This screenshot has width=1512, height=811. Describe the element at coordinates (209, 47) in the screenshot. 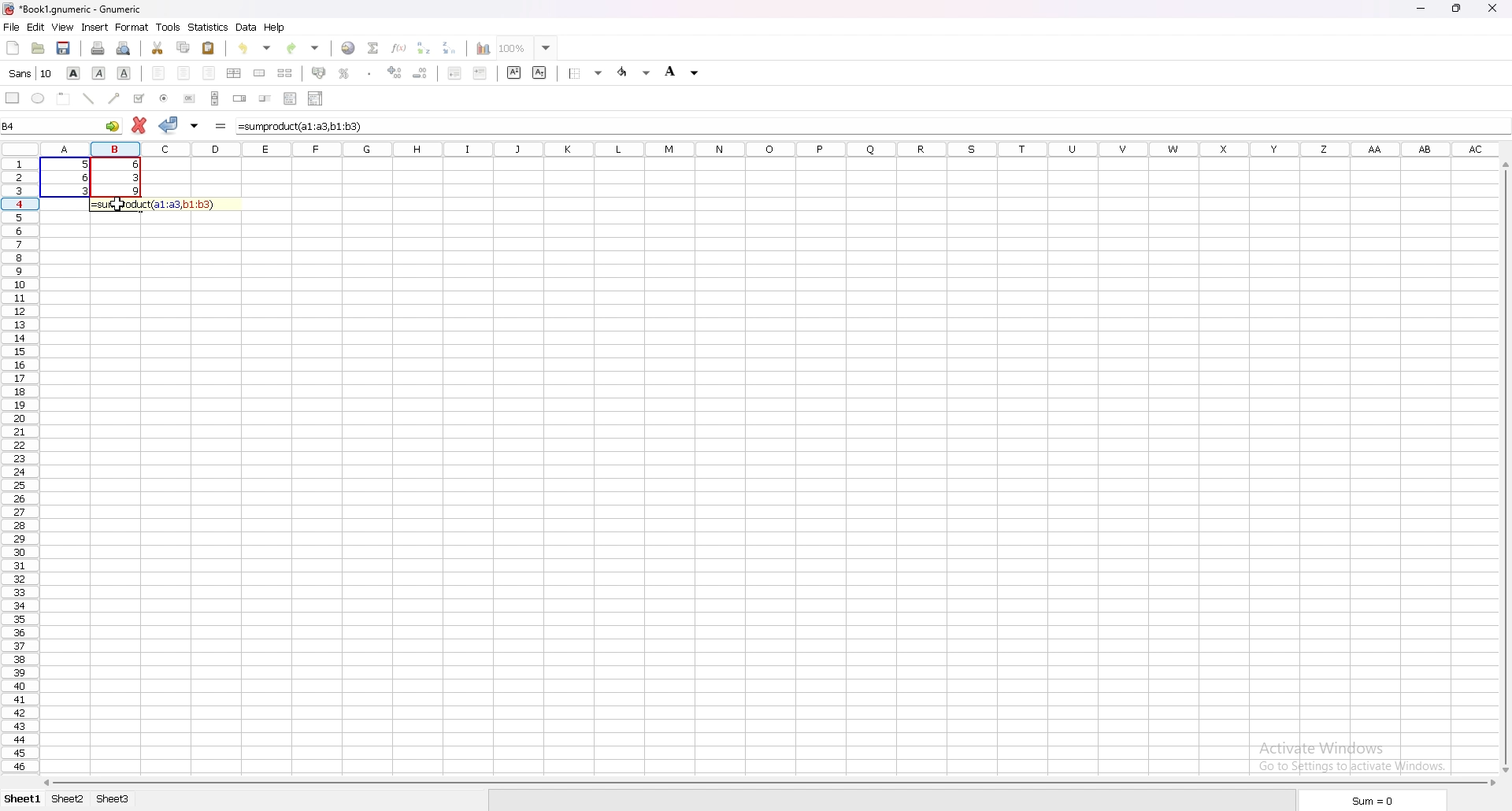

I see `paste` at that location.